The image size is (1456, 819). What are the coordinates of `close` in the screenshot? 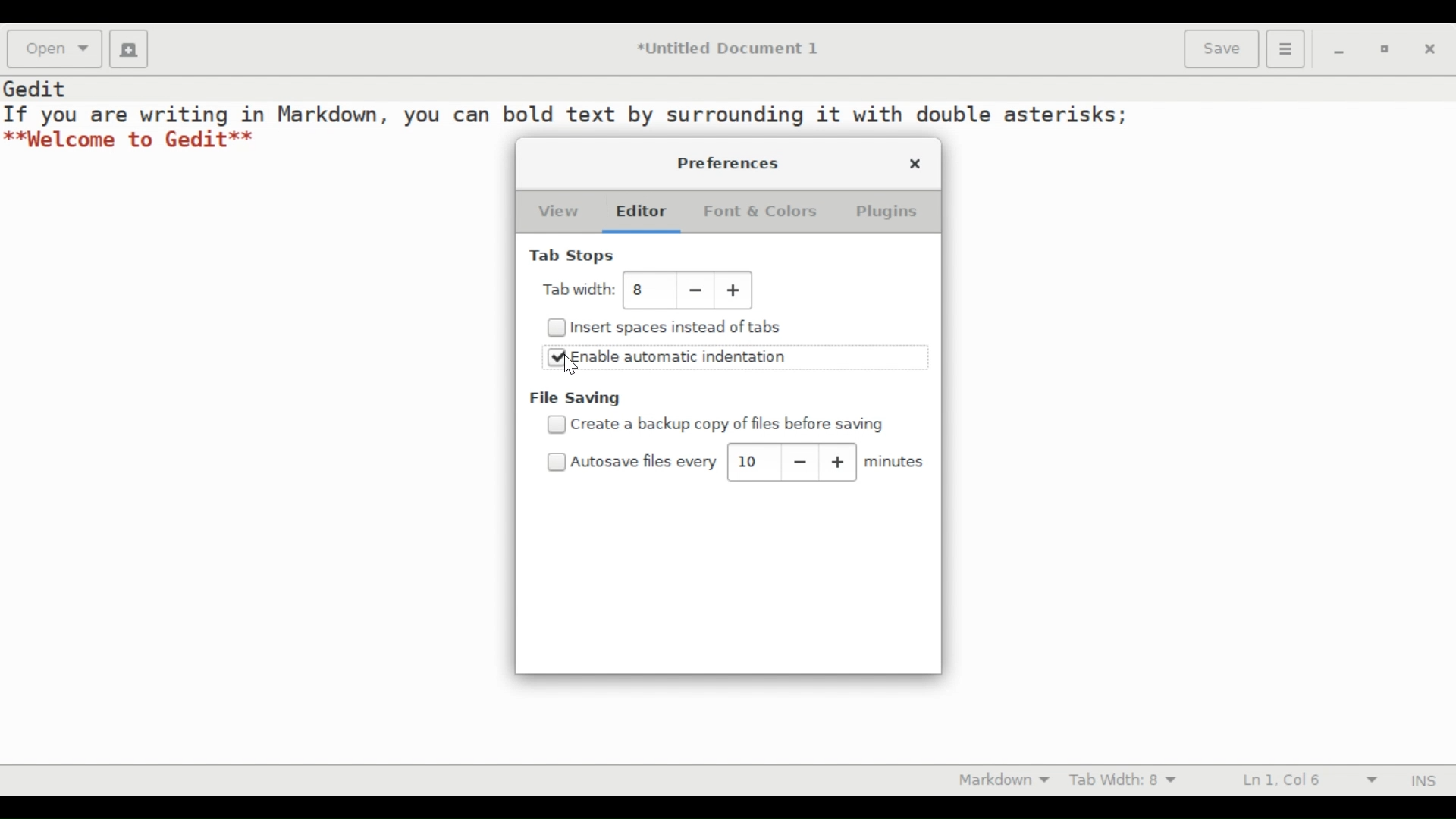 It's located at (1431, 52).